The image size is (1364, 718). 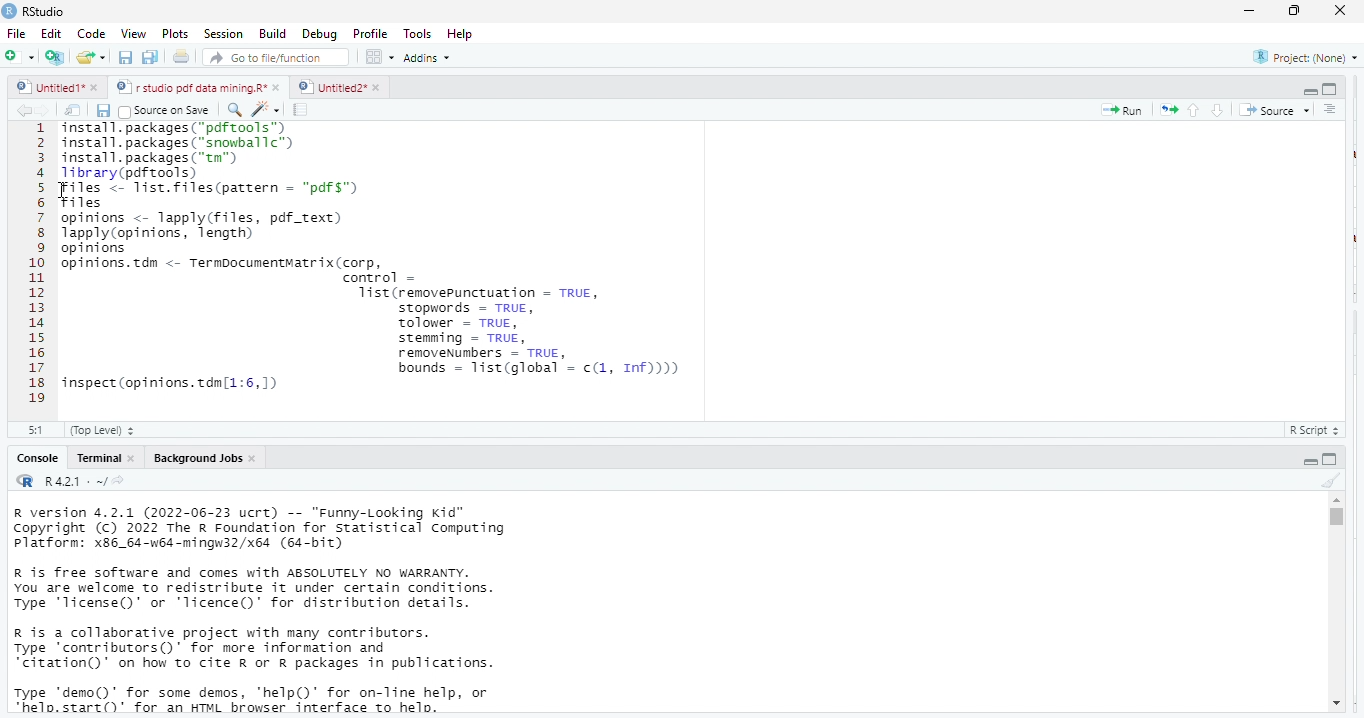 What do you see at coordinates (35, 428) in the screenshot?
I see `3.23` at bounding box center [35, 428].